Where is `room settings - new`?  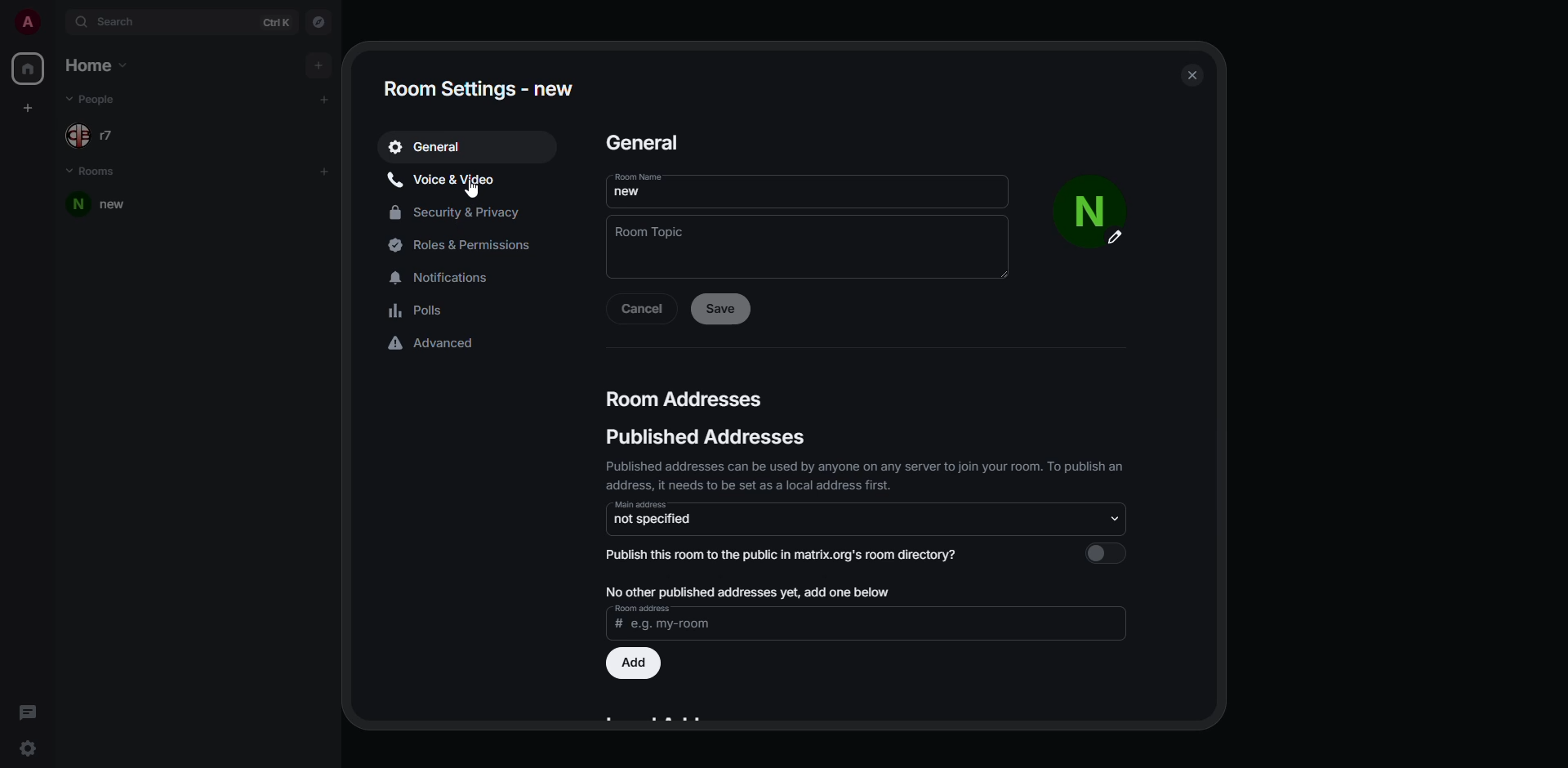
room settings - new is located at coordinates (481, 88).